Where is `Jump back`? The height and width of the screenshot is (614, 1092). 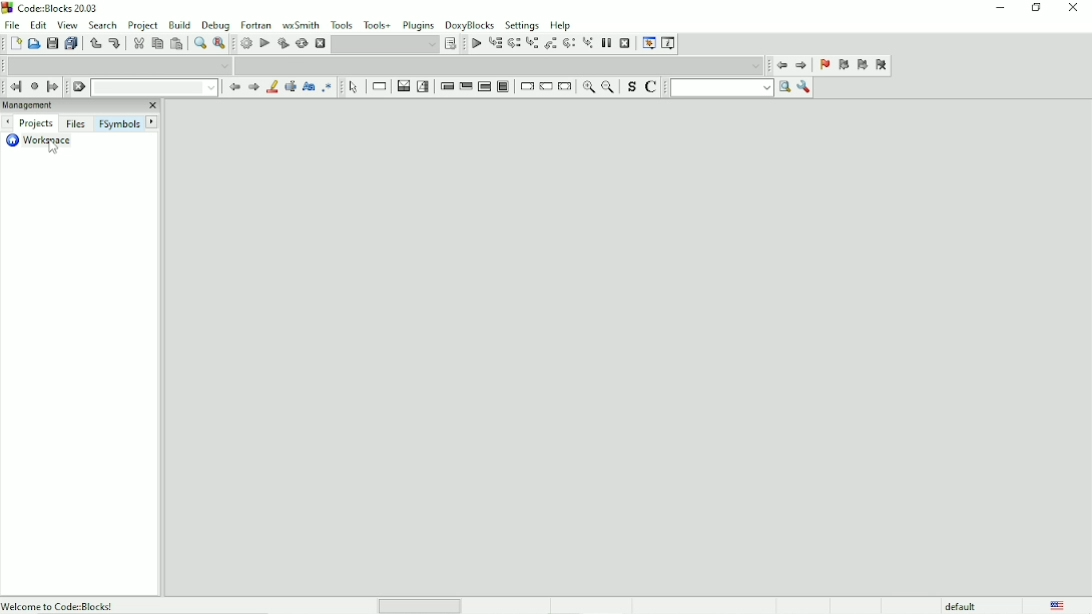 Jump back is located at coordinates (13, 86).